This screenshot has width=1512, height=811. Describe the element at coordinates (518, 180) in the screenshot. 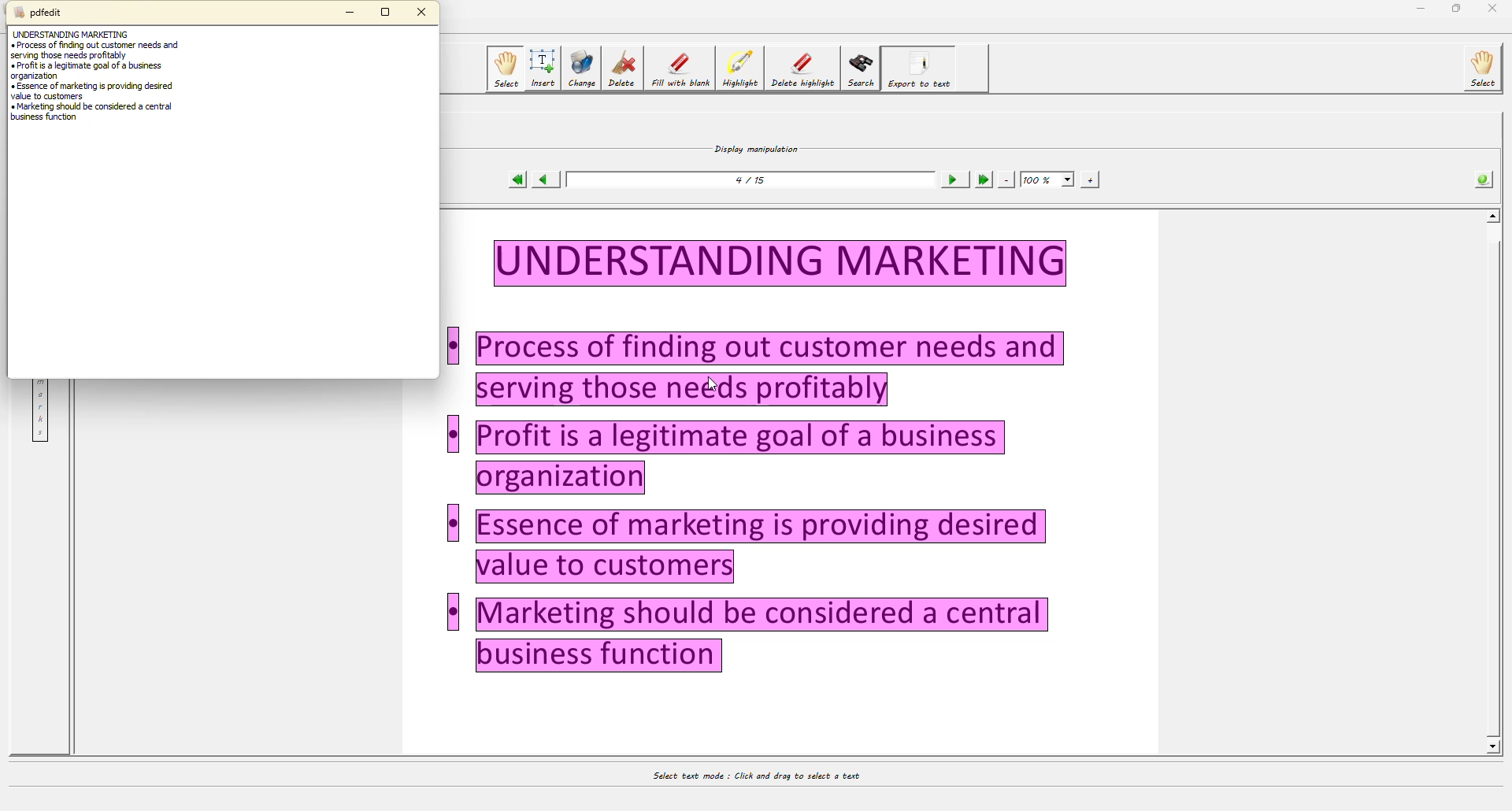

I see `first page` at that location.